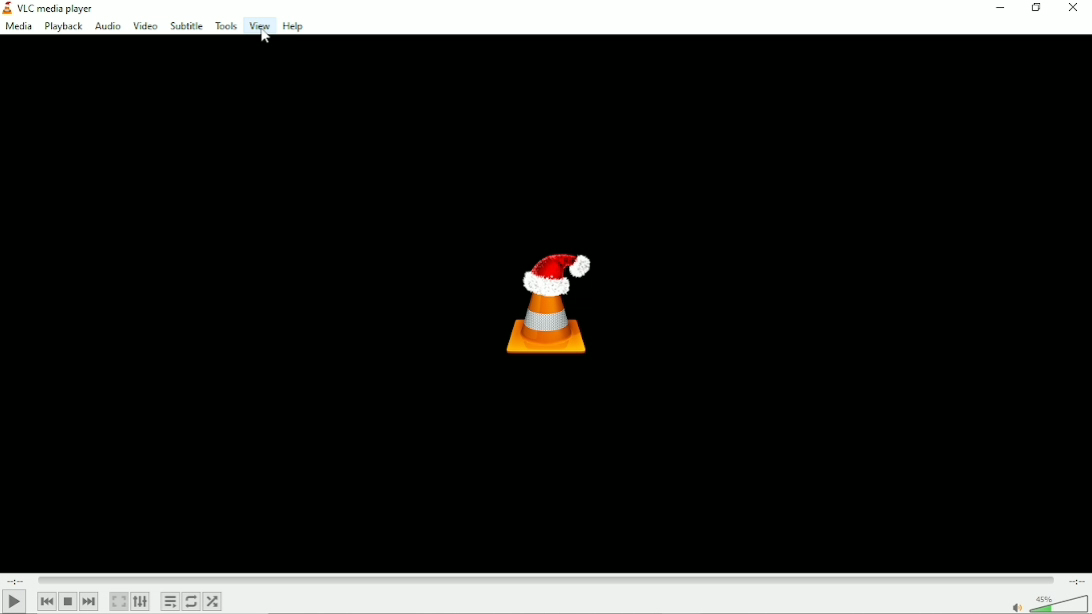 The image size is (1092, 614). Describe the element at coordinates (1039, 8) in the screenshot. I see `restore down` at that location.